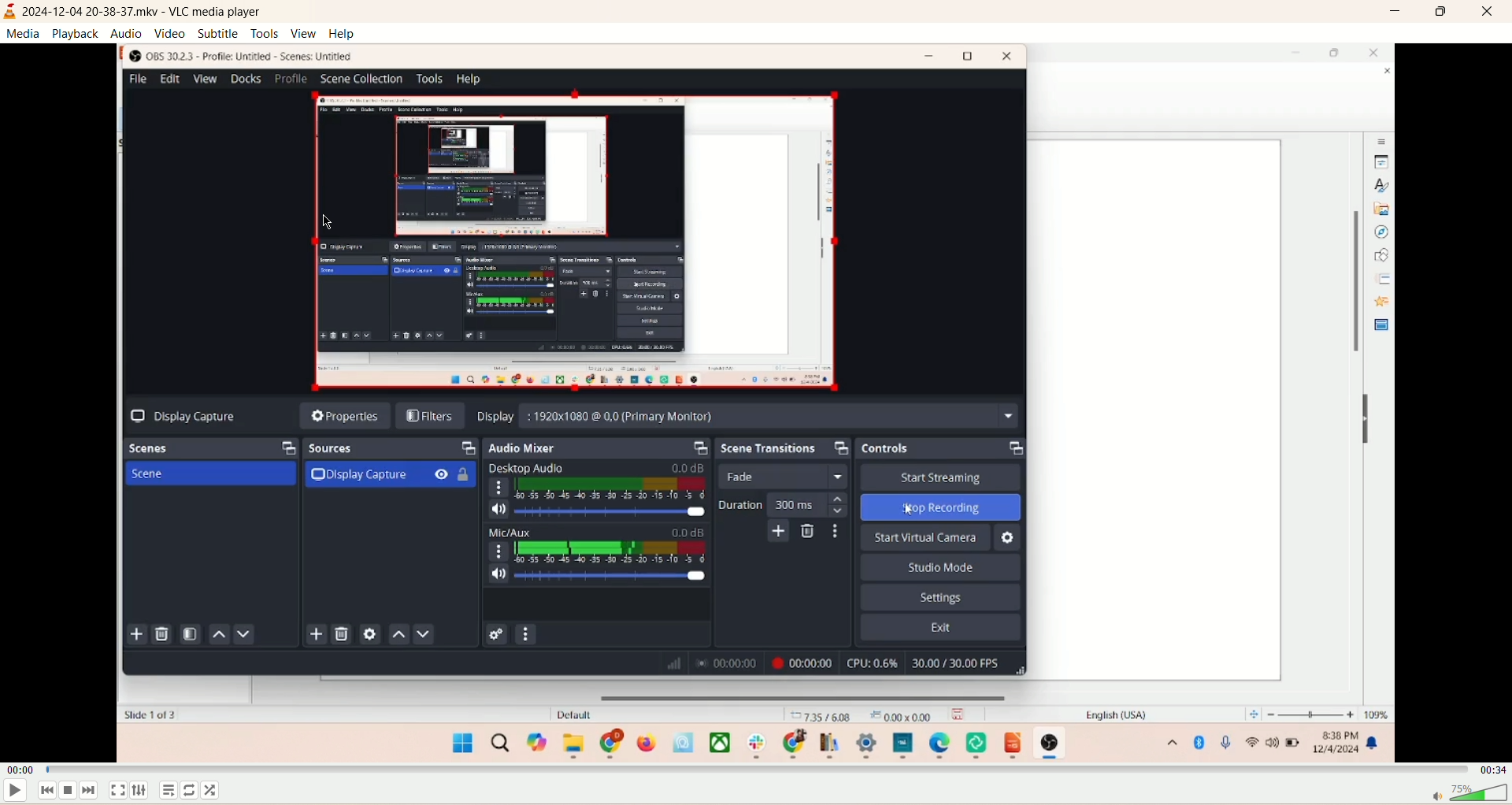  Describe the element at coordinates (139, 792) in the screenshot. I see `extended settings` at that location.